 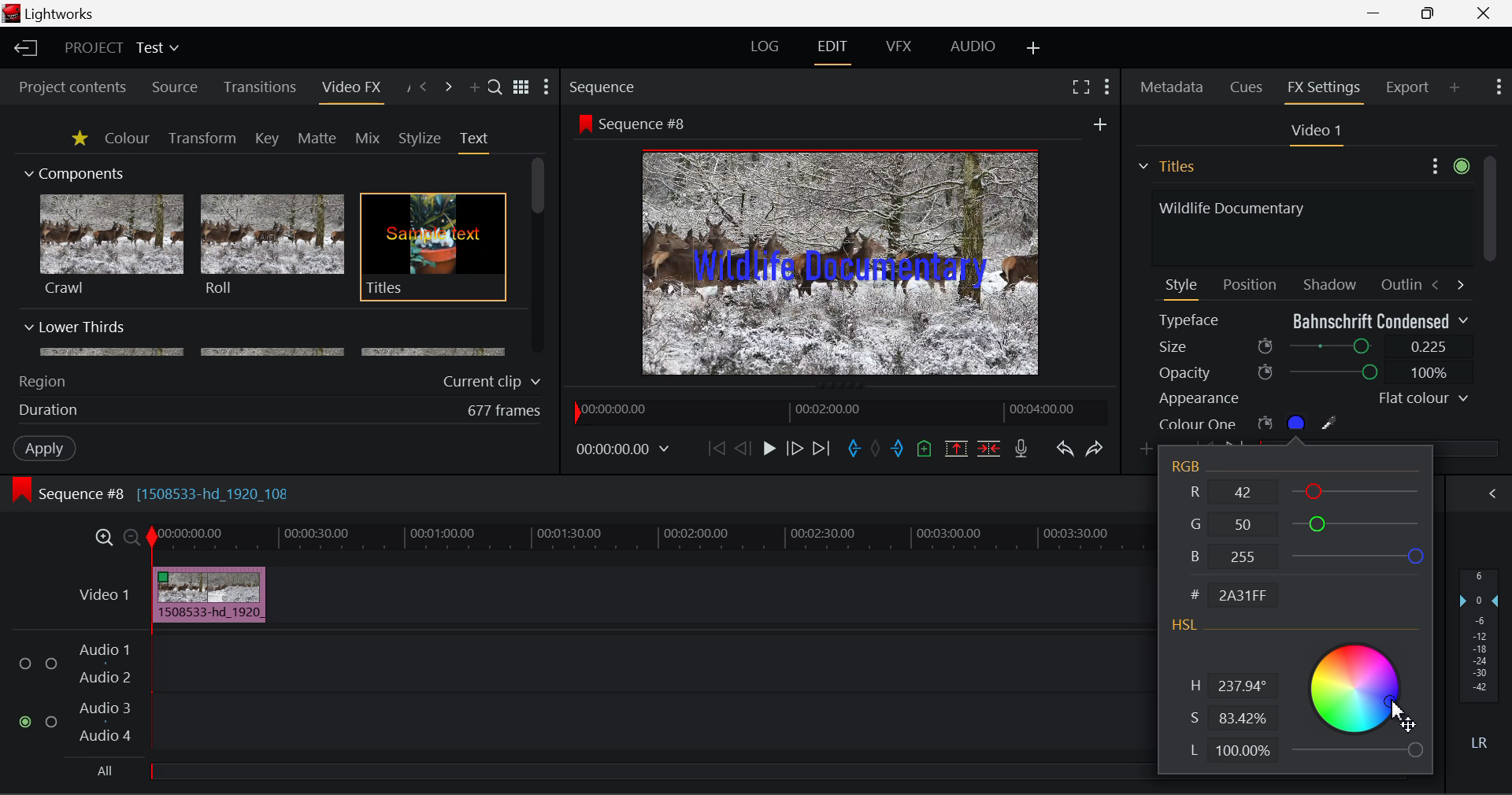 What do you see at coordinates (20, 490) in the screenshot?
I see `icon` at bounding box center [20, 490].